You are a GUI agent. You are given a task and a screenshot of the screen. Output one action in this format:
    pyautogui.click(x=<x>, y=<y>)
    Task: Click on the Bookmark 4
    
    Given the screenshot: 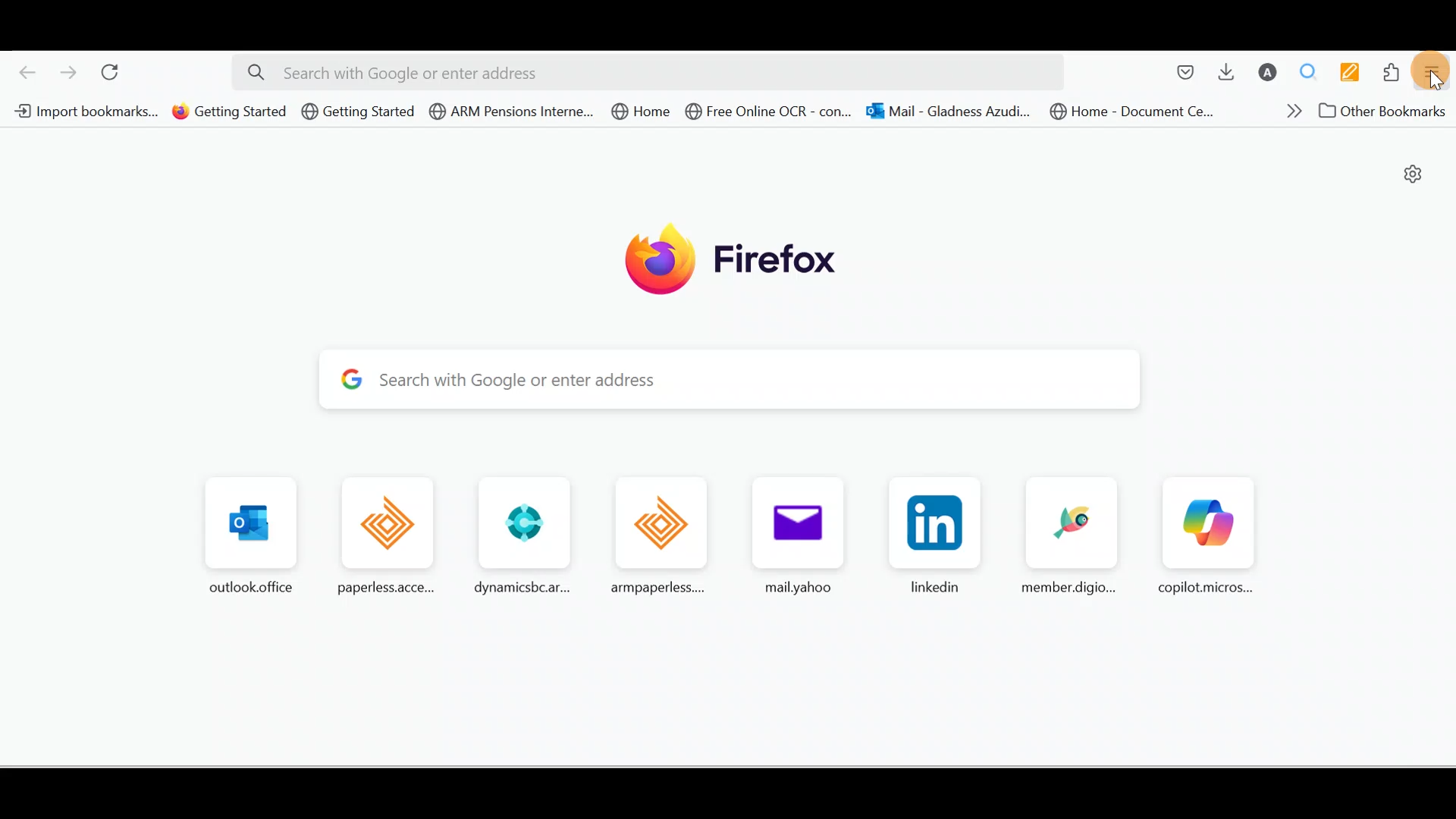 What is the action you would take?
    pyautogui.click(x=507, y=111)
    